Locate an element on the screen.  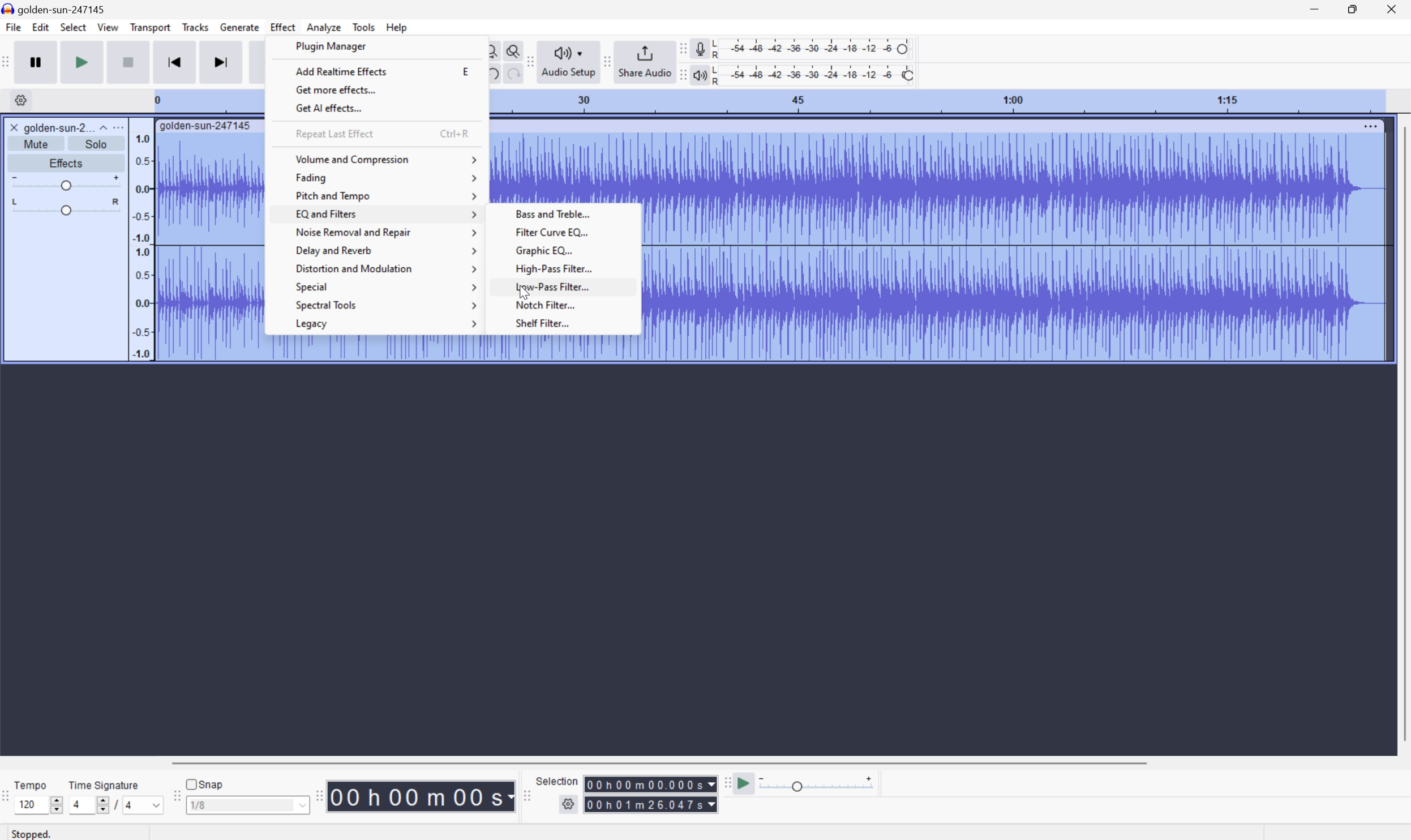
Tracks is located at coordinates (195, 26).